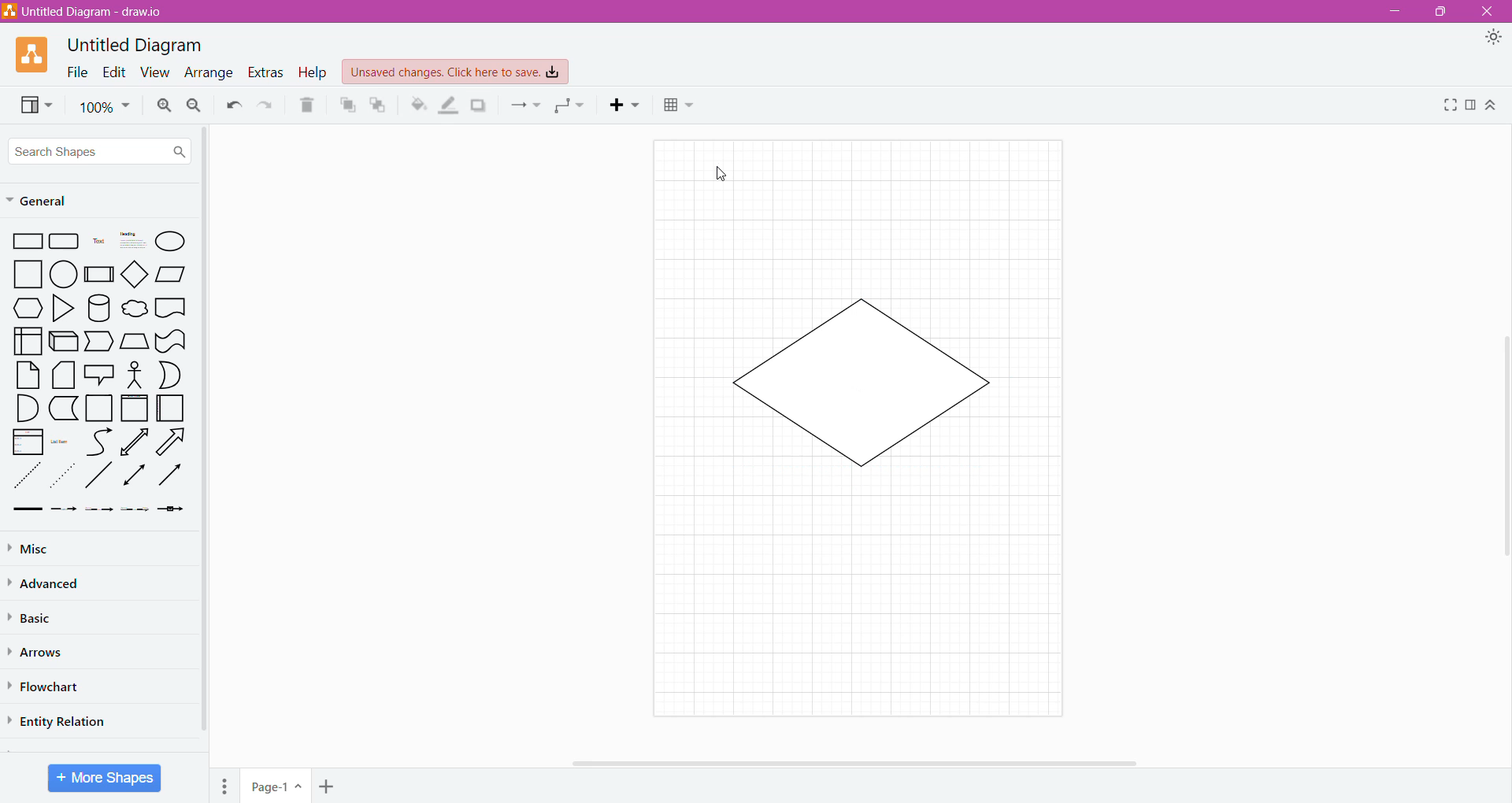 The width and height of the screenshot is (1512, 803). I want to click on Heading with Text, so click(134, 242).